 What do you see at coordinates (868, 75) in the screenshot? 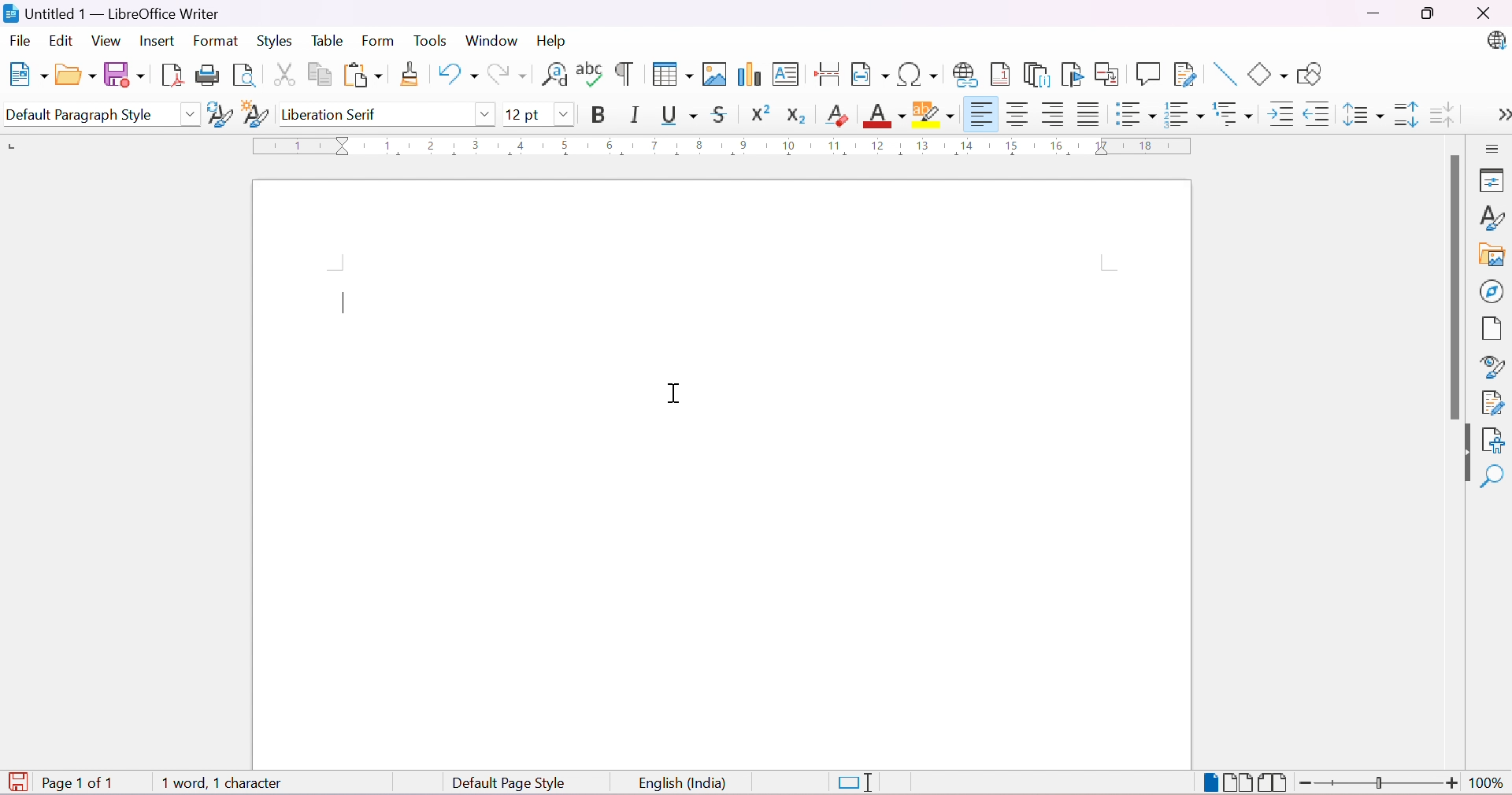
I see `Insert Field` at bounding box center [868, 75].